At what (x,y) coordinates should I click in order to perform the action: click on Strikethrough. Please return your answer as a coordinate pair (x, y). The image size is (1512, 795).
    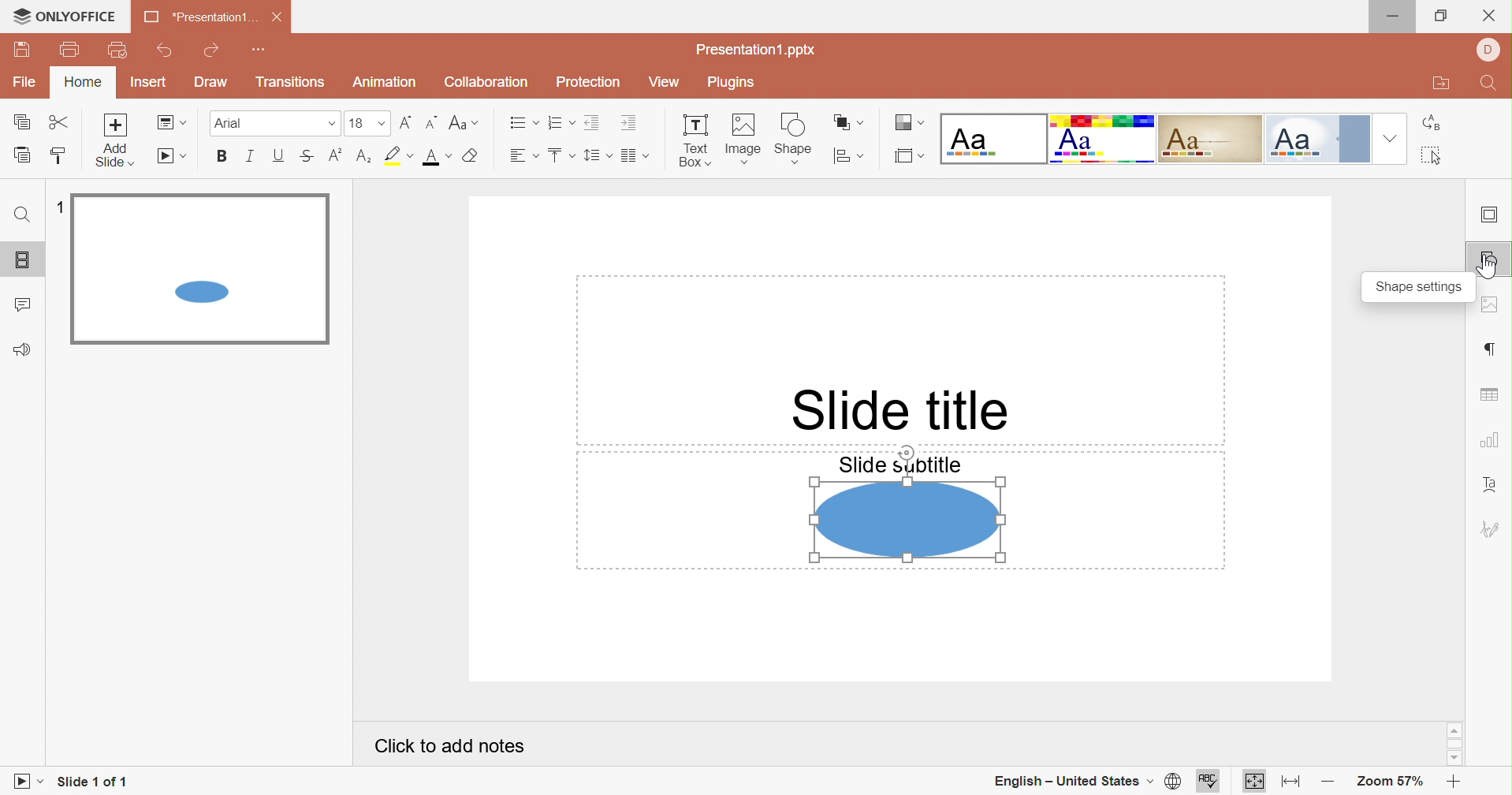
    Looking at the image, I should click on (307, 157).